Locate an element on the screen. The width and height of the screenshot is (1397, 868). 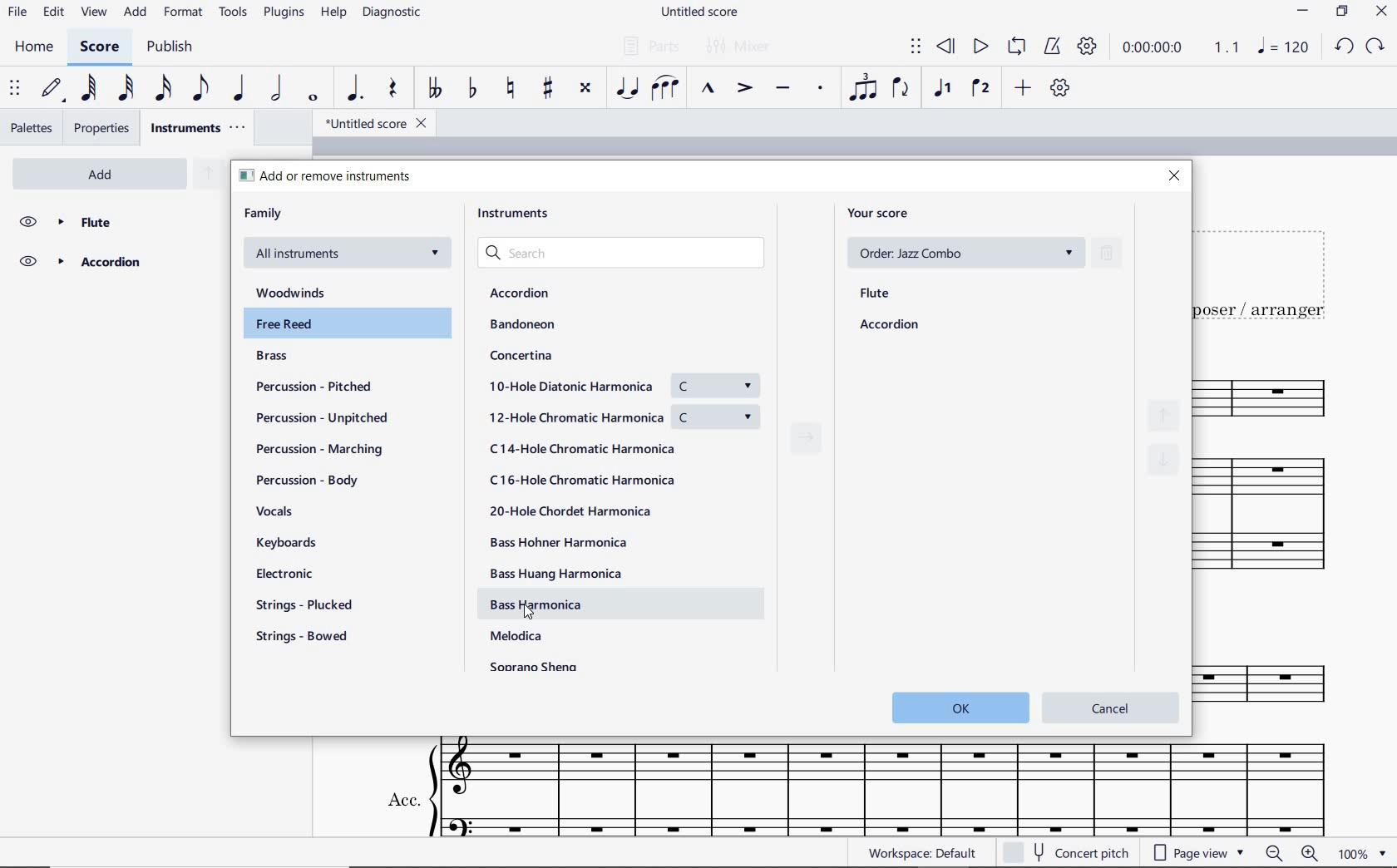
family is located at coordinates (264, 213).